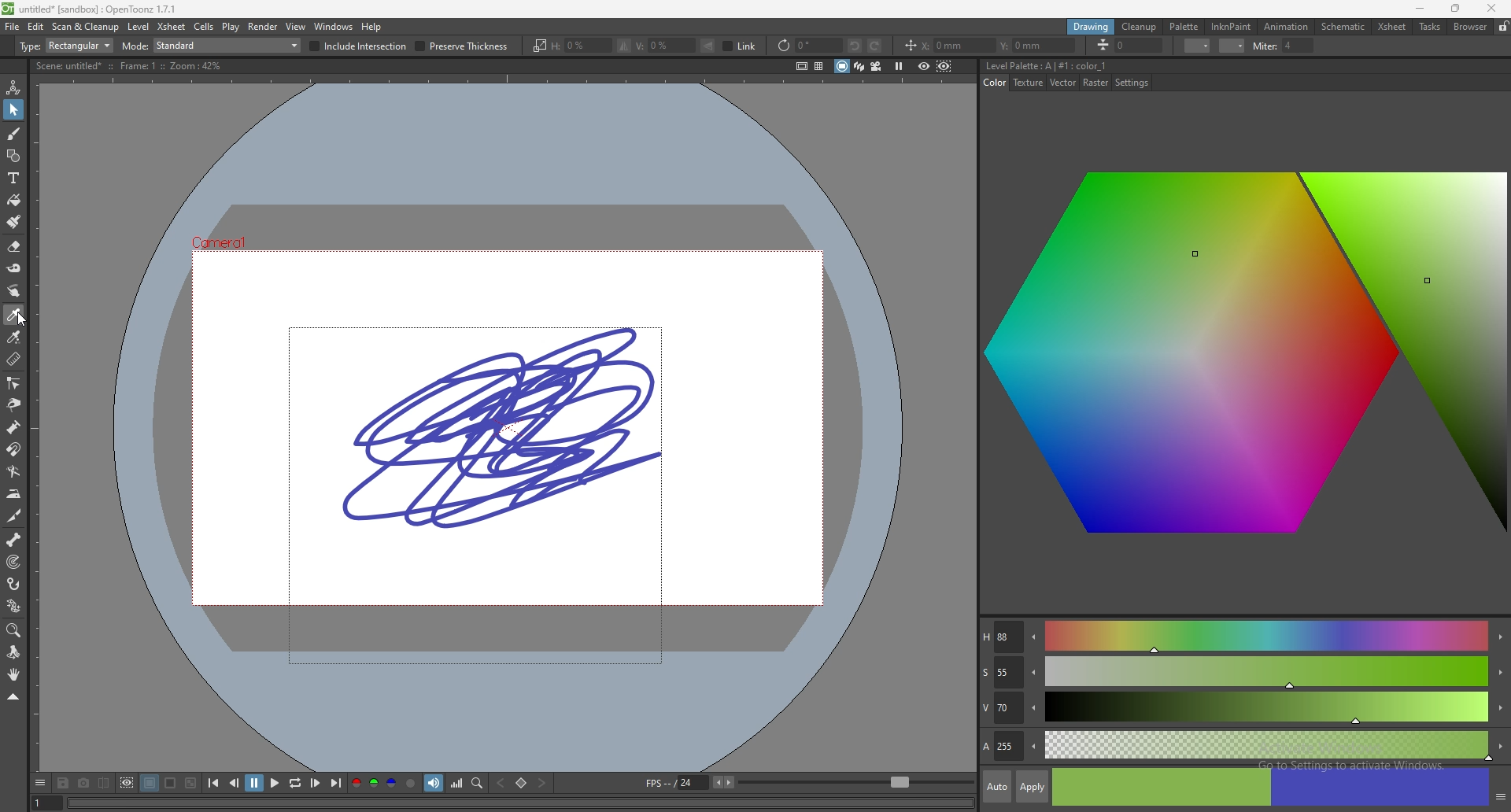 Image resolution: width=1511 pixels, height=812 pixels. I want to click on zoom, so click(856, 783).